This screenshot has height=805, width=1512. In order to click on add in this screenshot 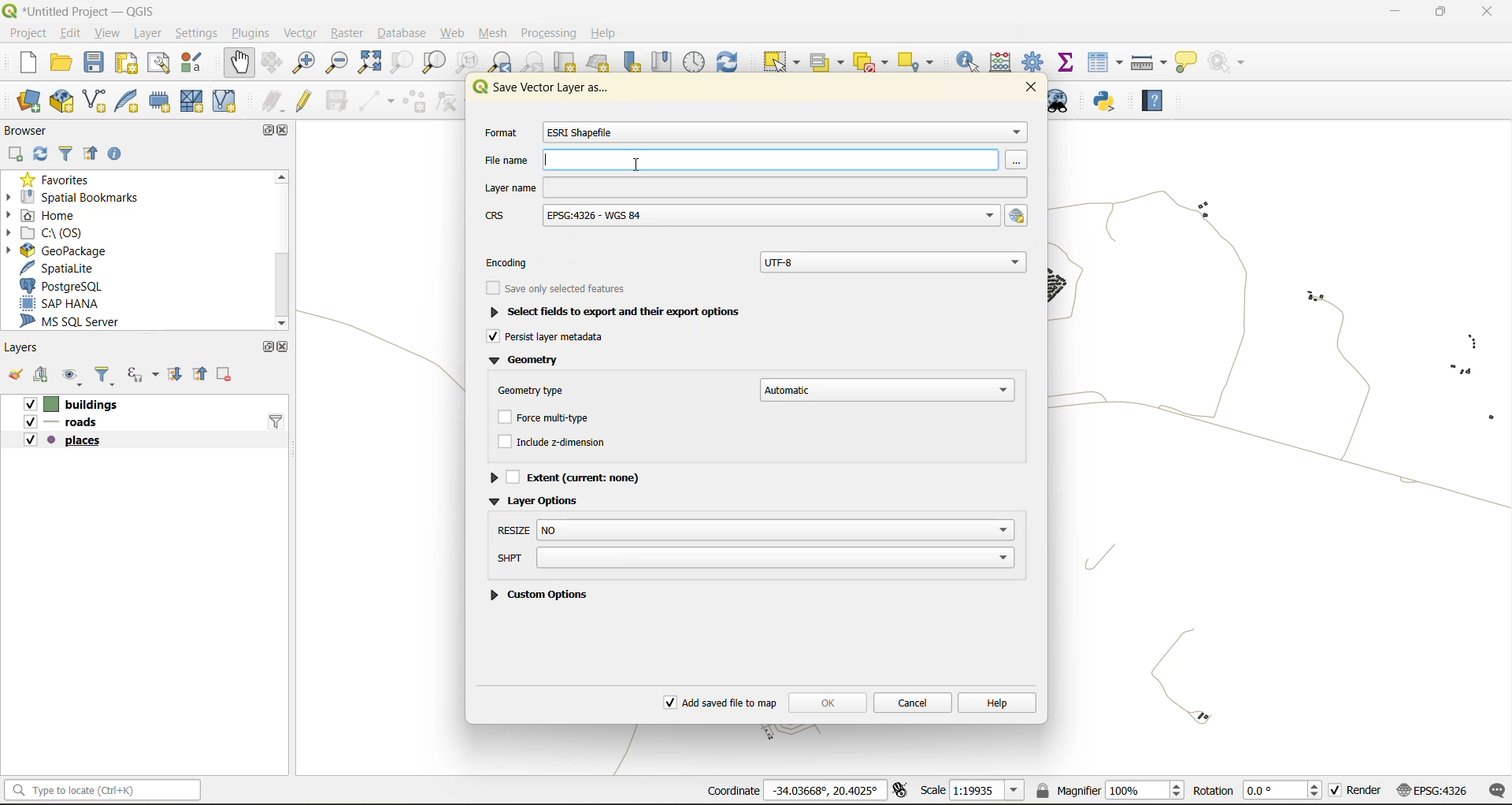, I will do `click(18, 154)`.